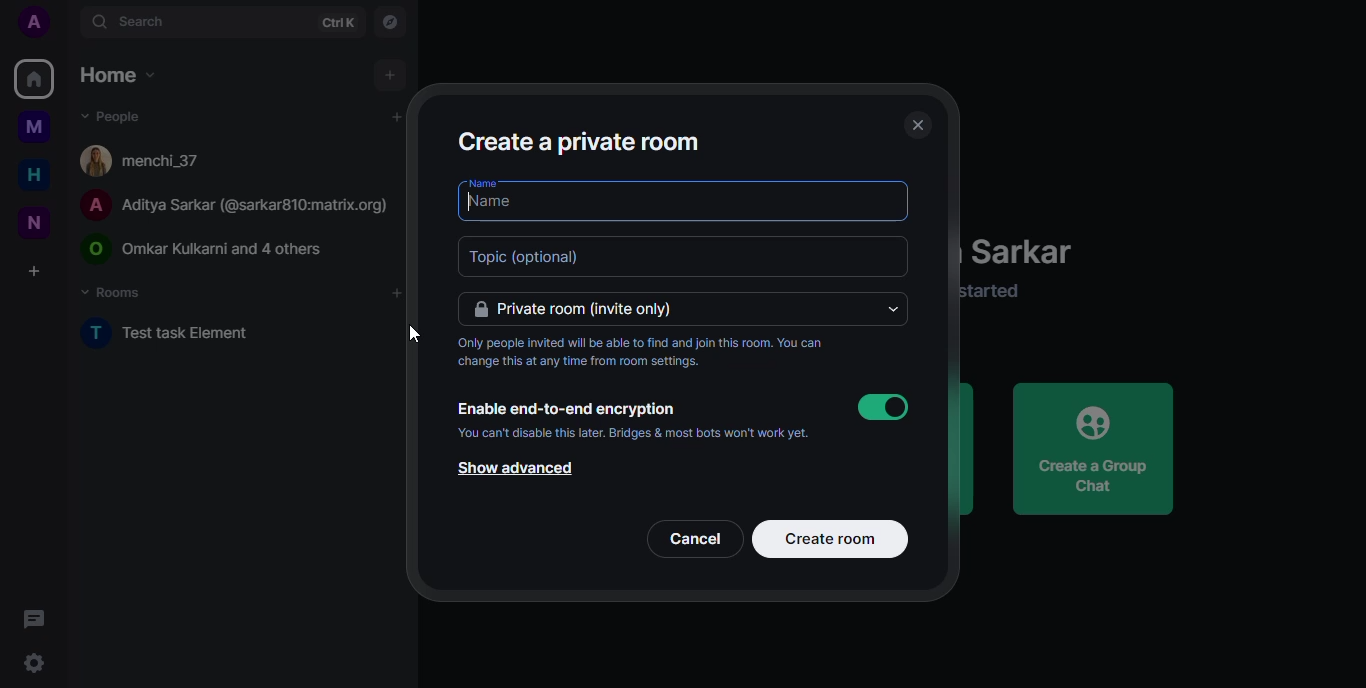 This screenshot has width=1366, height=688. Describe the element at coordinates (482, 182) in the screenshot. I see `name` at that location.